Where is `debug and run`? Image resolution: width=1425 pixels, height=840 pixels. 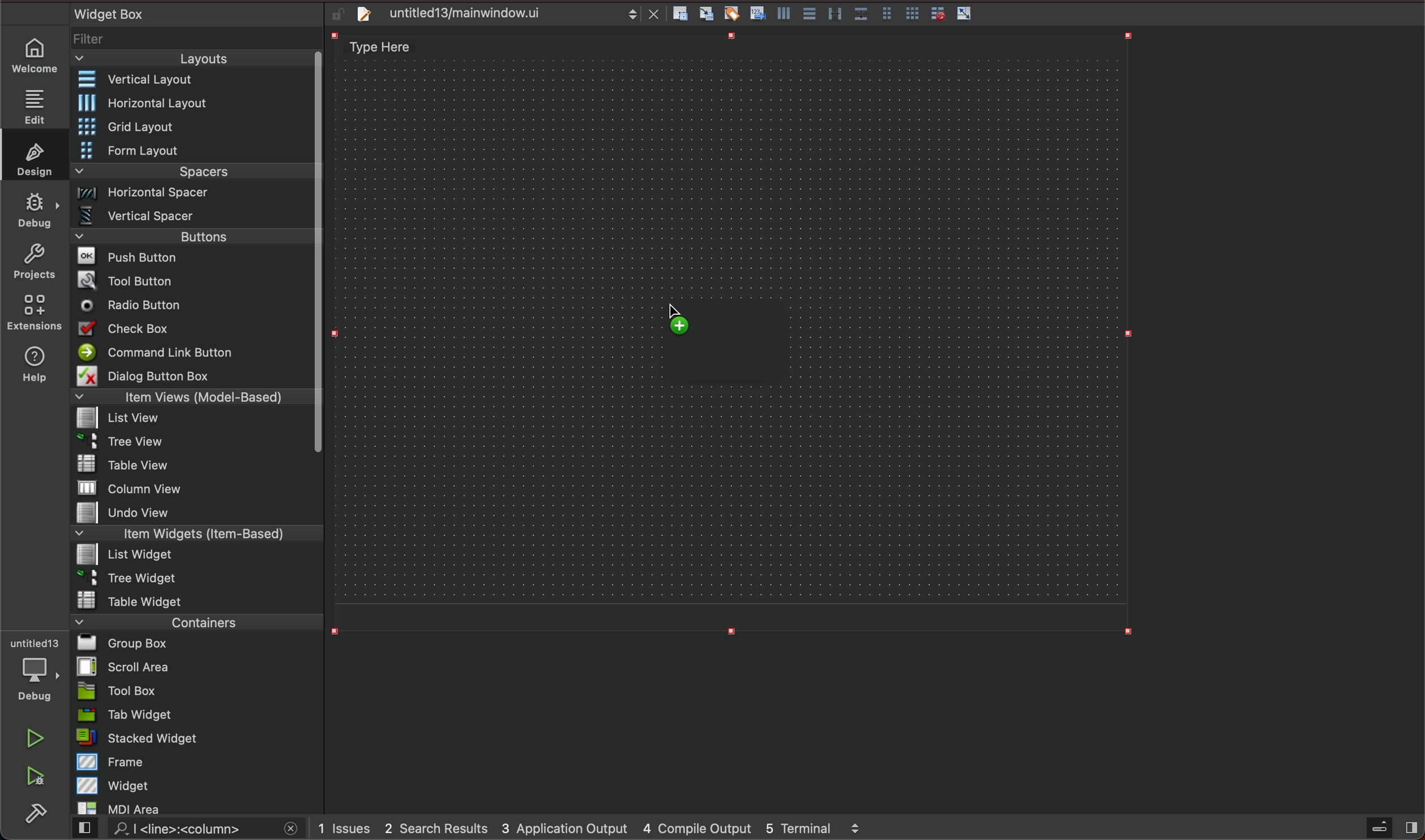 debug and run is located at coordinates (37, 775).